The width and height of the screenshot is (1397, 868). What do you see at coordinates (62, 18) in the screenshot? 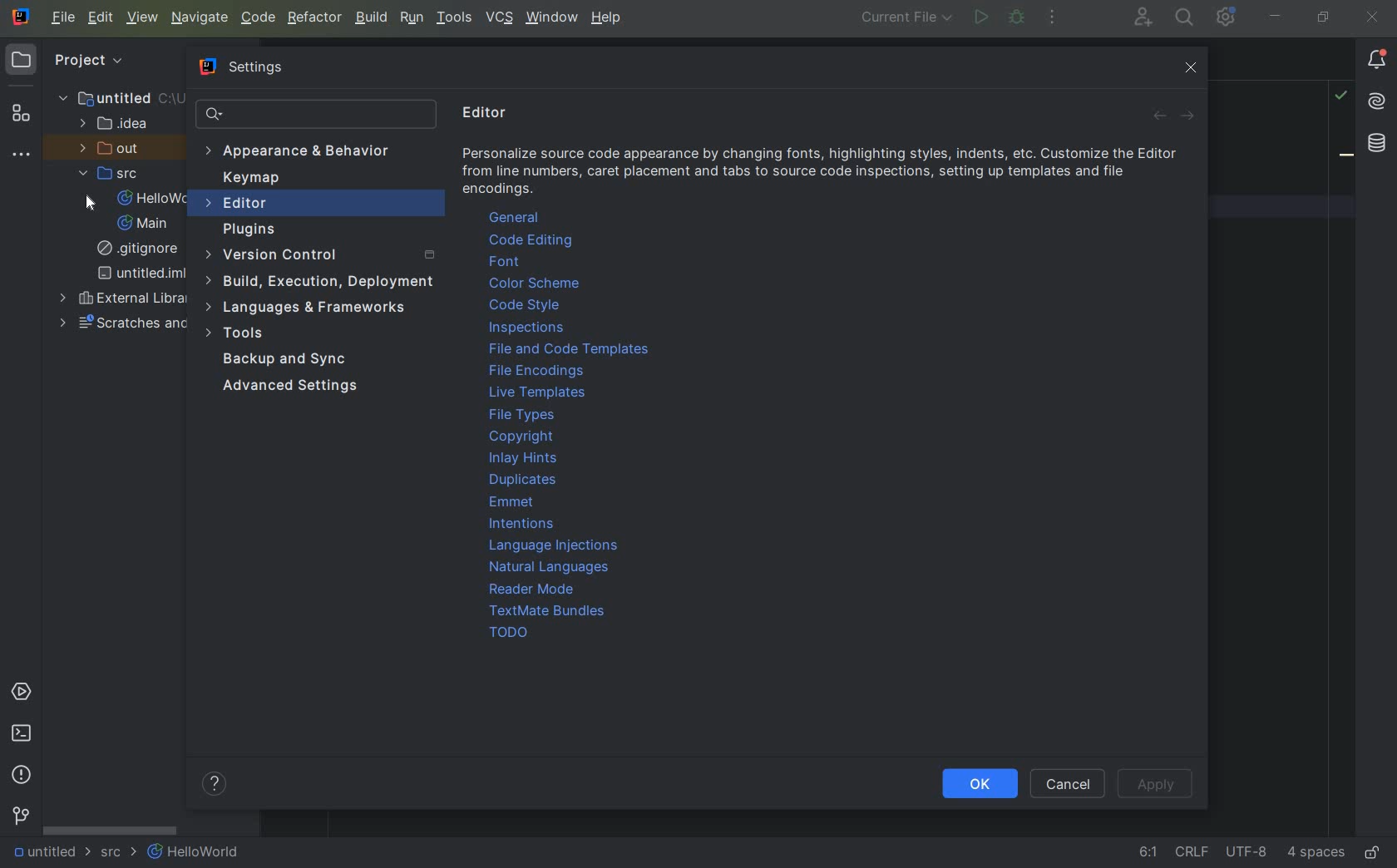
I see `main menu` at bounding box center [62, 18].